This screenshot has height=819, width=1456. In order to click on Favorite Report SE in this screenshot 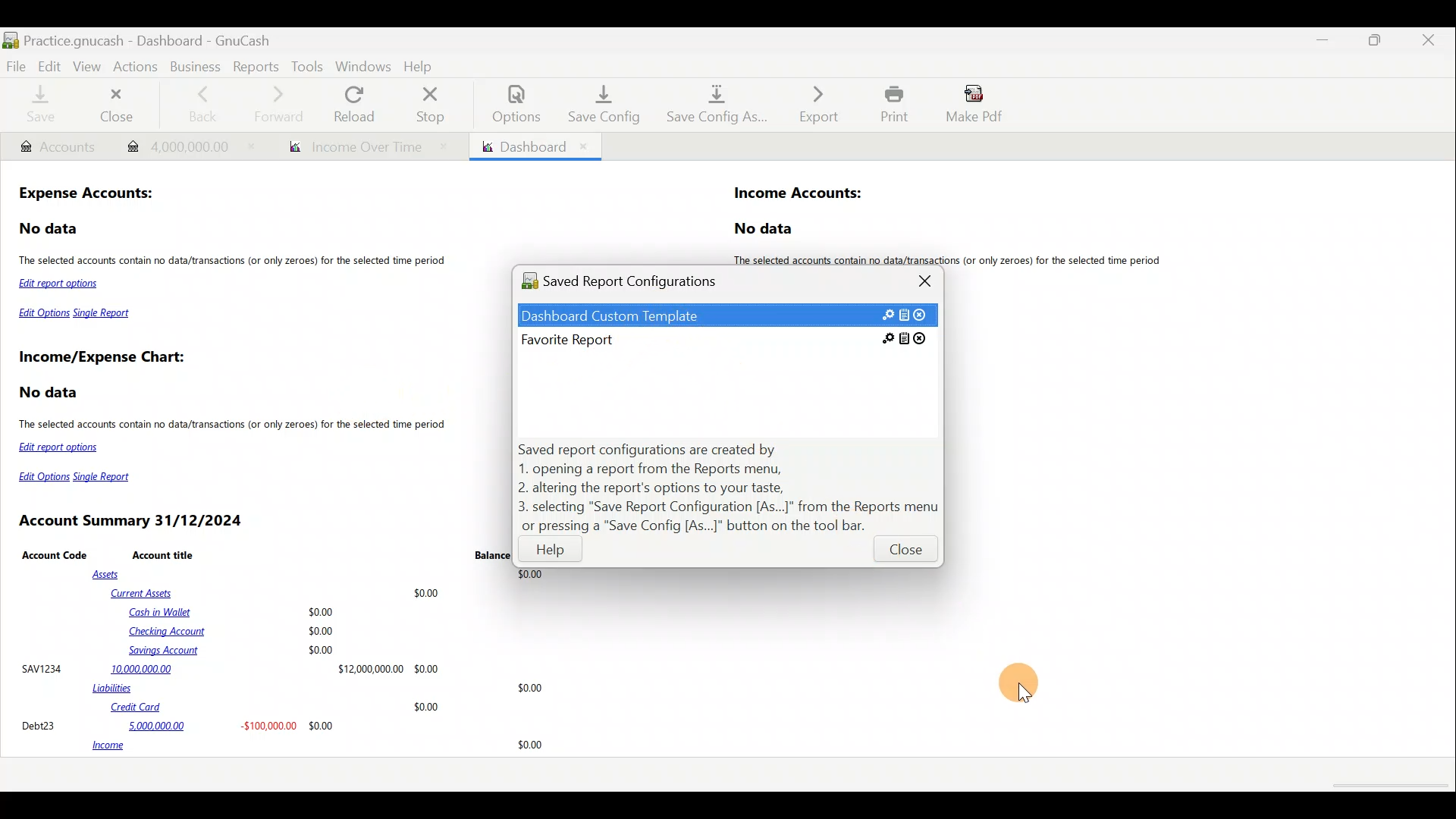, I will do `click(725, 342)`.